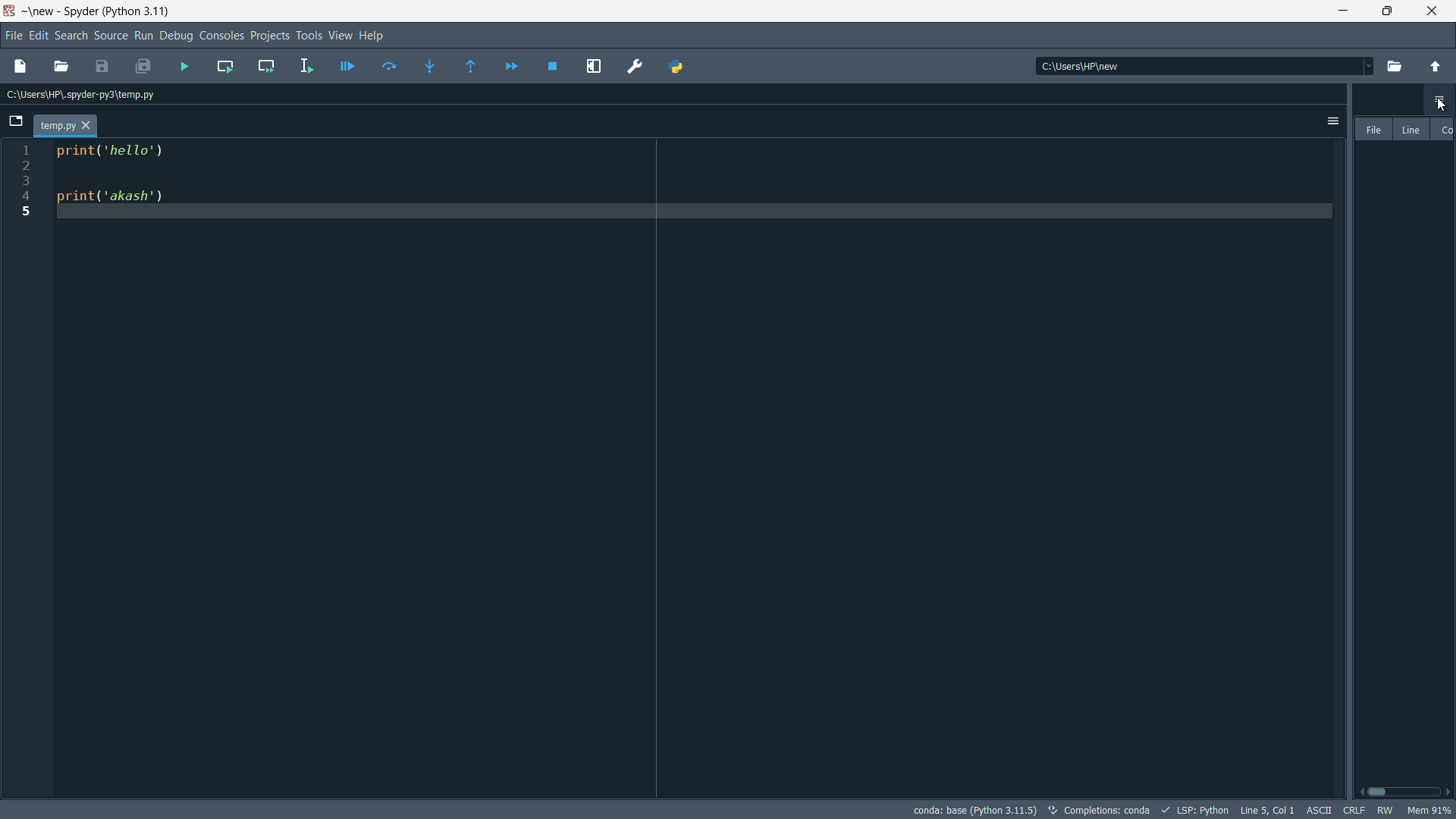 This screenshot has width=1456, height=819. I want to click on python path manager, so click(676, 65).